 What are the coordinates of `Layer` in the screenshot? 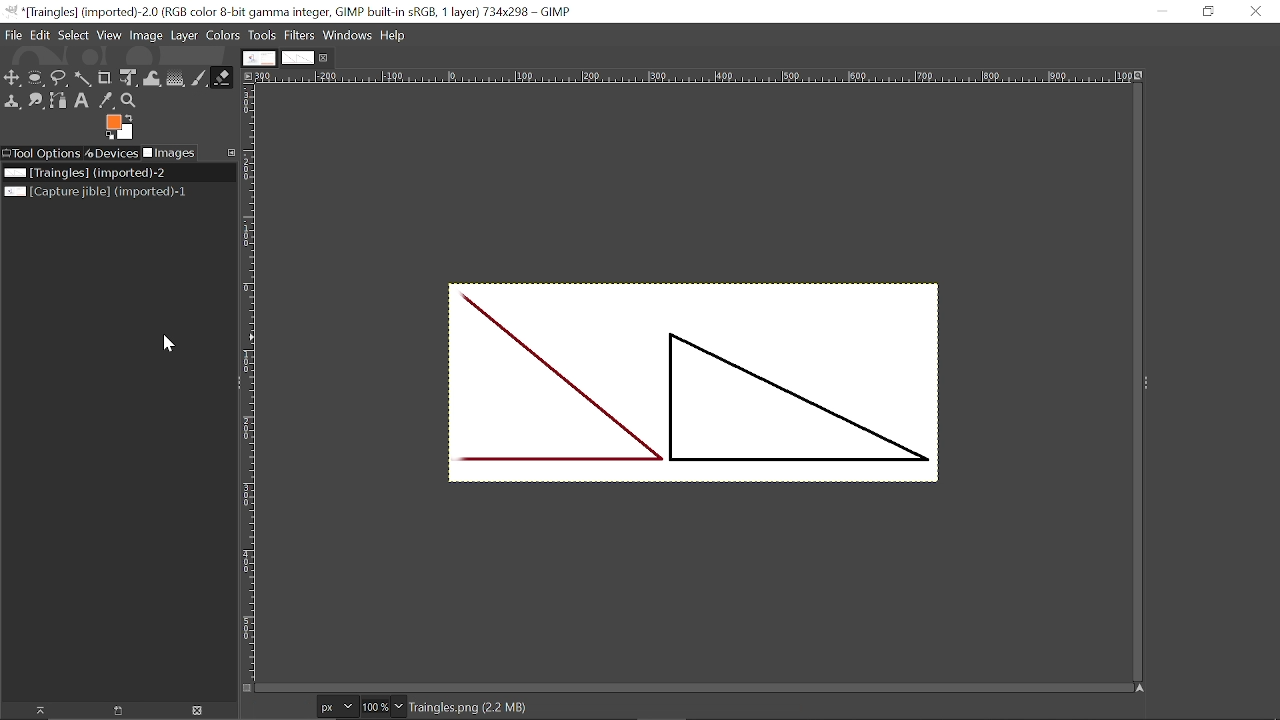 It's located at (184, 37).